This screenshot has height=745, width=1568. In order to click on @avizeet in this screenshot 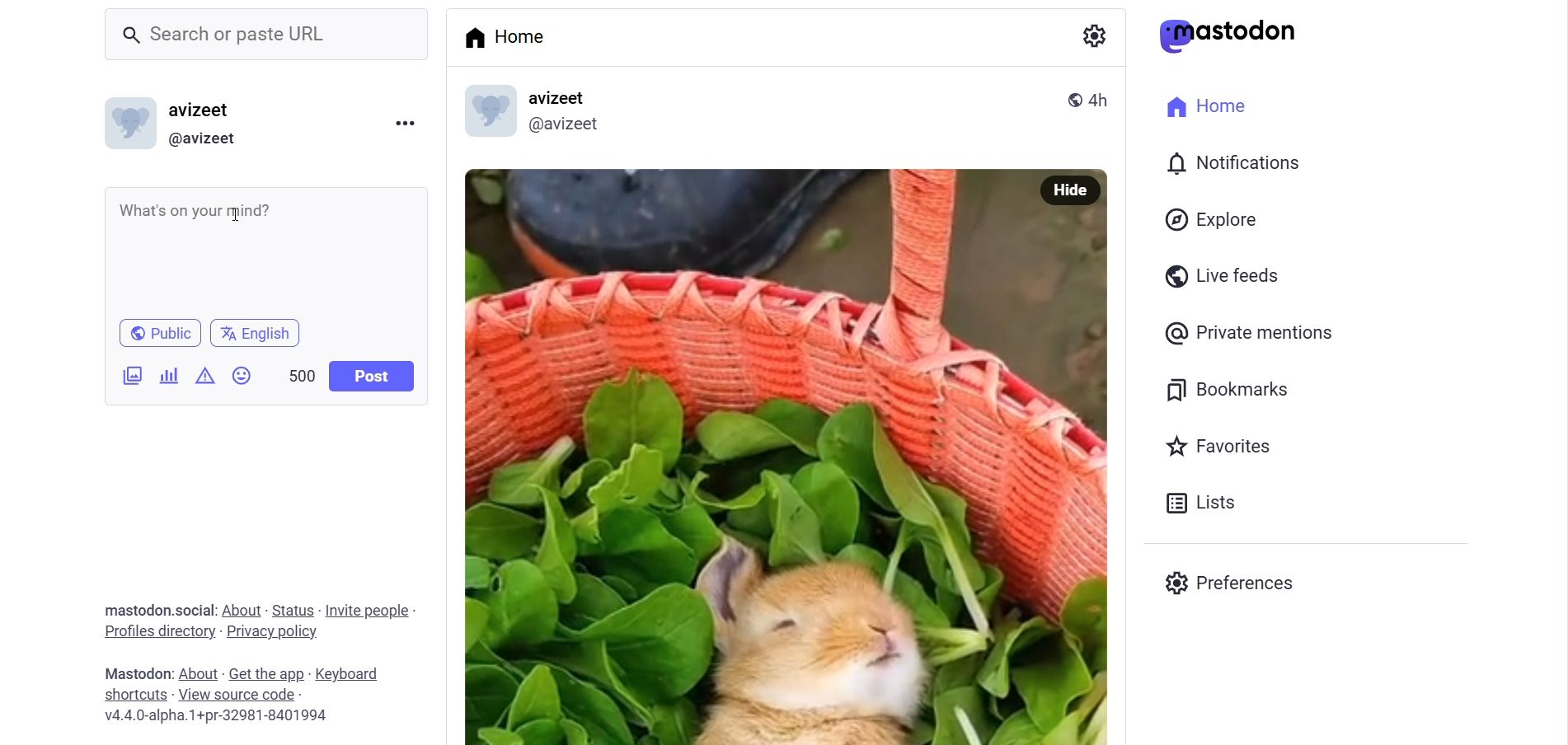, I will do `click(212, 141)`.